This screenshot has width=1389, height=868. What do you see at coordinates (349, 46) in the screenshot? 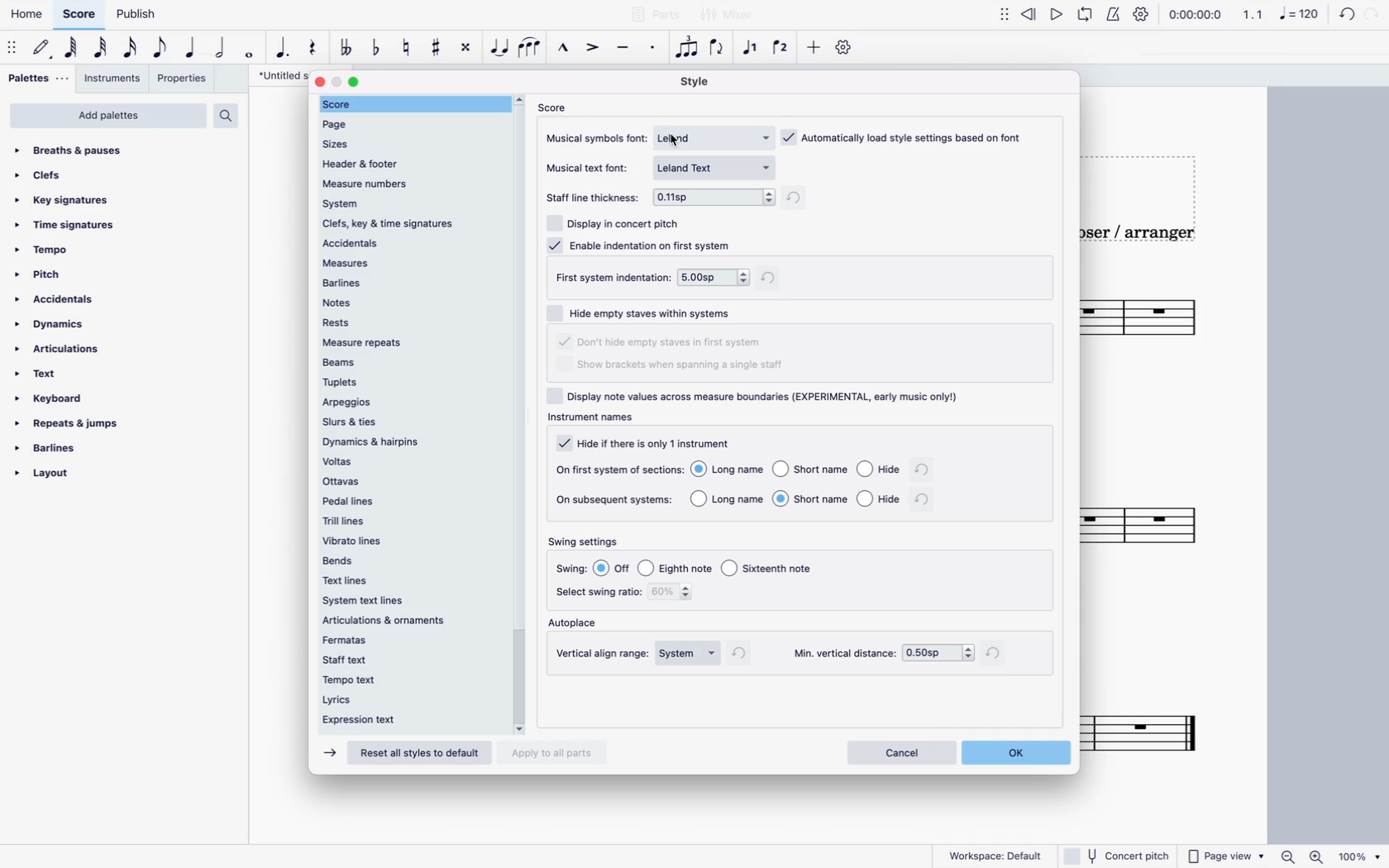
I see `tune` at bounding box center [349, 46].